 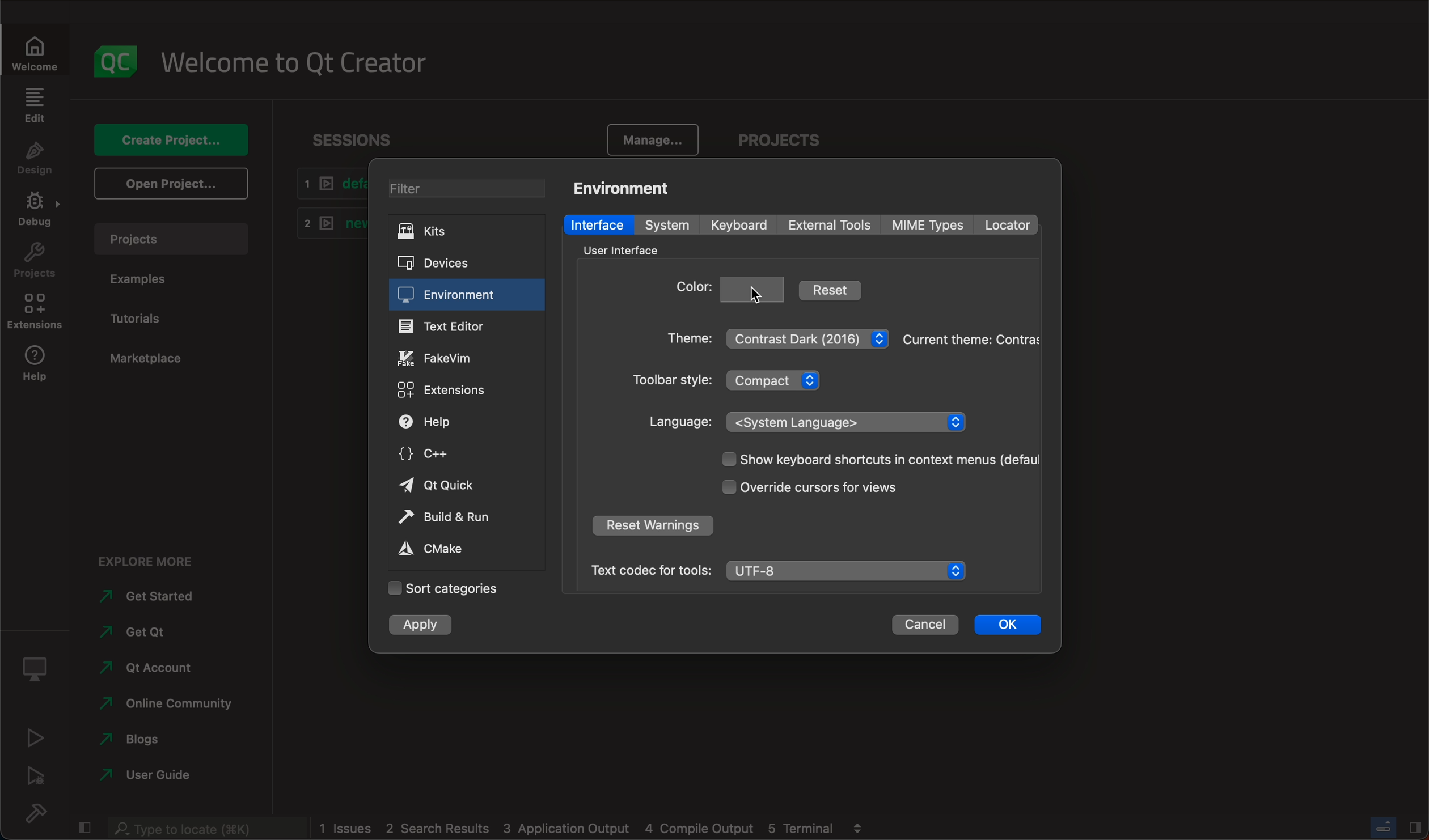 What do you see at coordinates (466, 357) in the screenshot?
I see `fake vim` at bounding box center [466, 357].